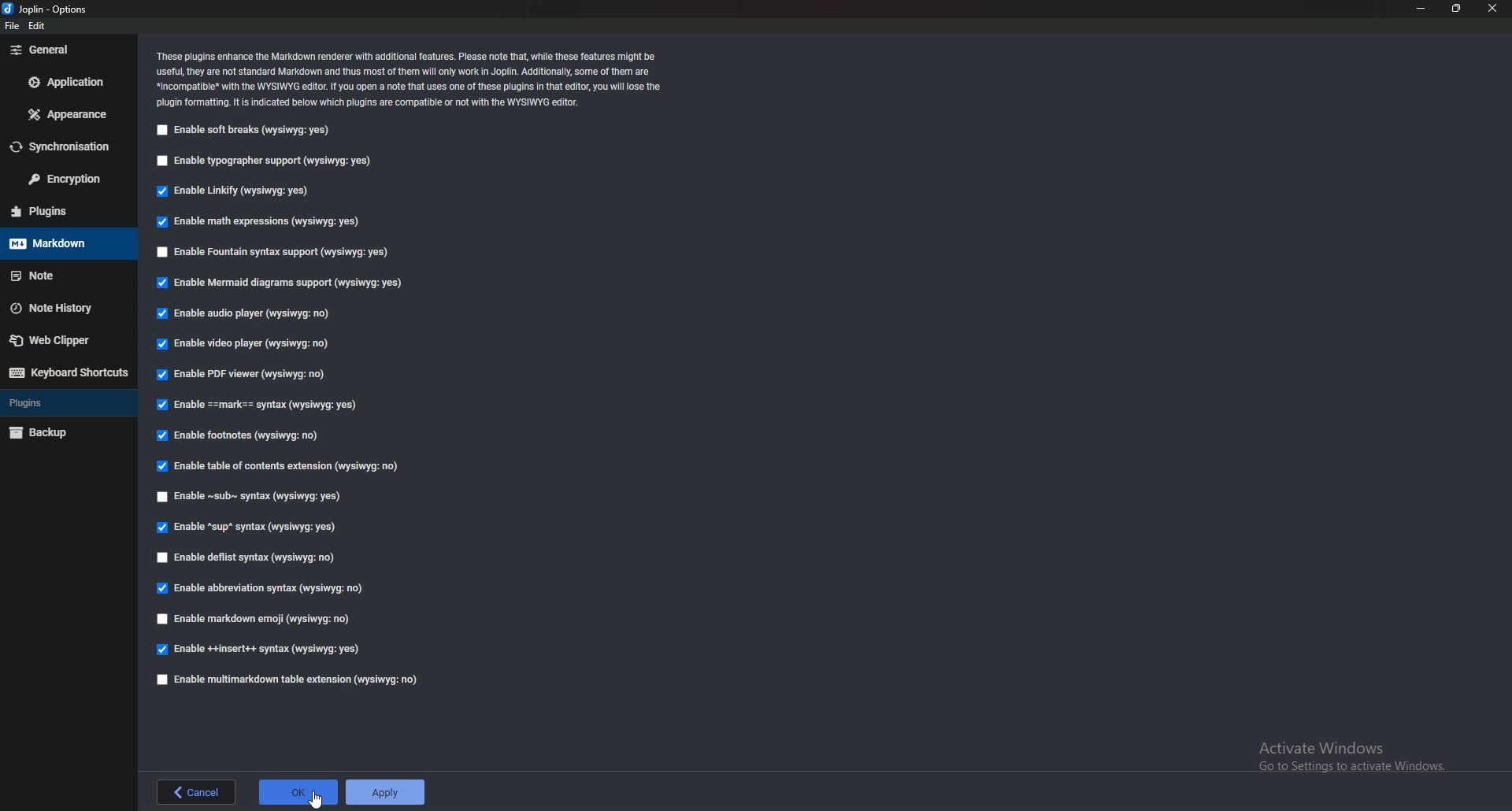  I want to click on Enable audio player (wysiwyg: no), so click(249, 313).